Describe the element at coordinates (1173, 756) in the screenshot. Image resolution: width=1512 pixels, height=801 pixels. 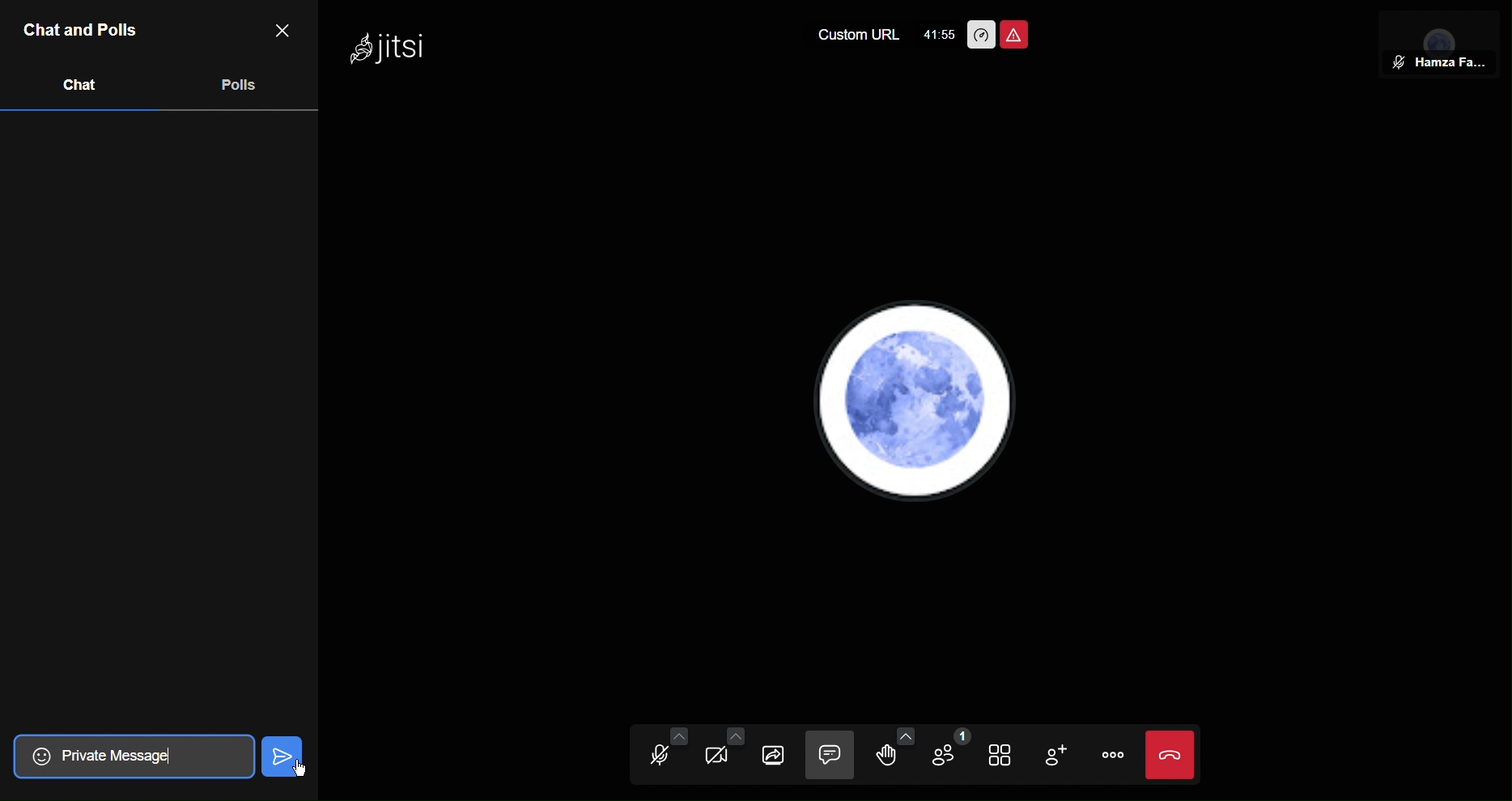
I see `End Call` at that location.